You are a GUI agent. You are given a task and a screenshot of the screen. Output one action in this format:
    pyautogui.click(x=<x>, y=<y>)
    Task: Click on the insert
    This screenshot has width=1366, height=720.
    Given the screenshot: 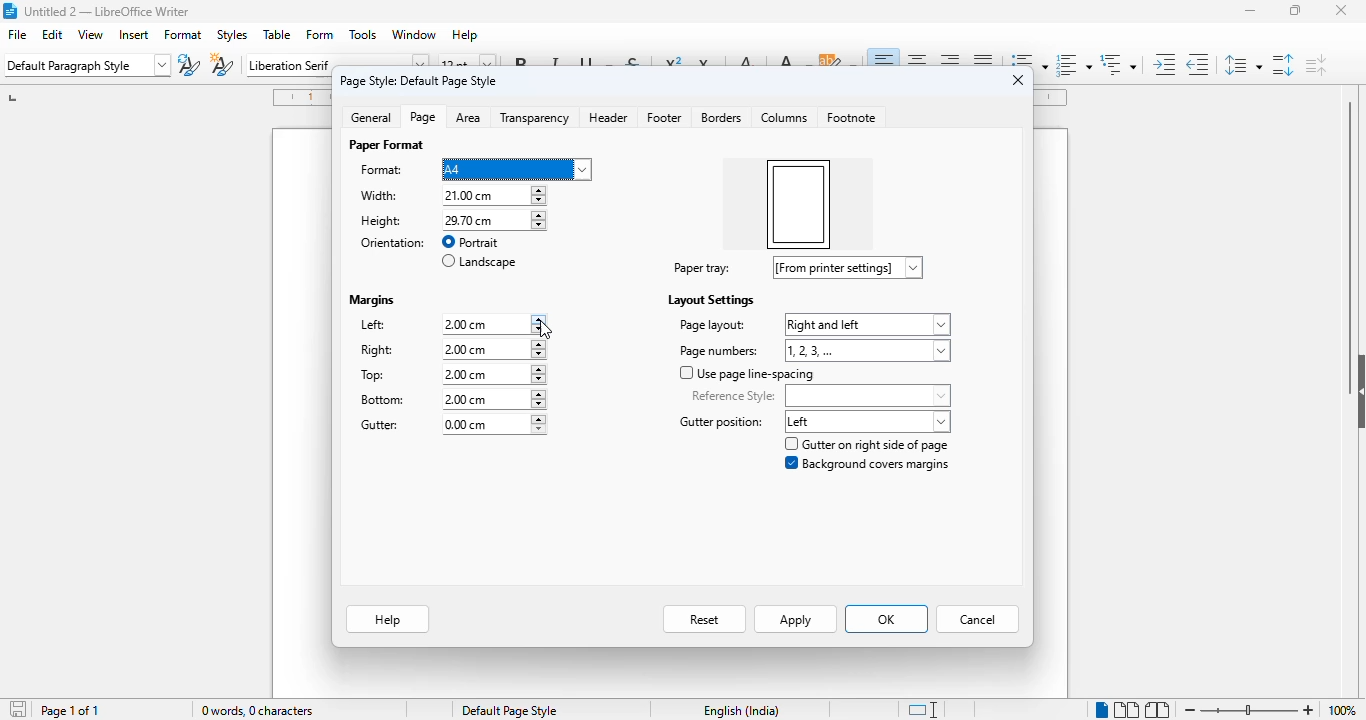 What is the action you would take?
    pyautogui.click(x=134, y=34)
    